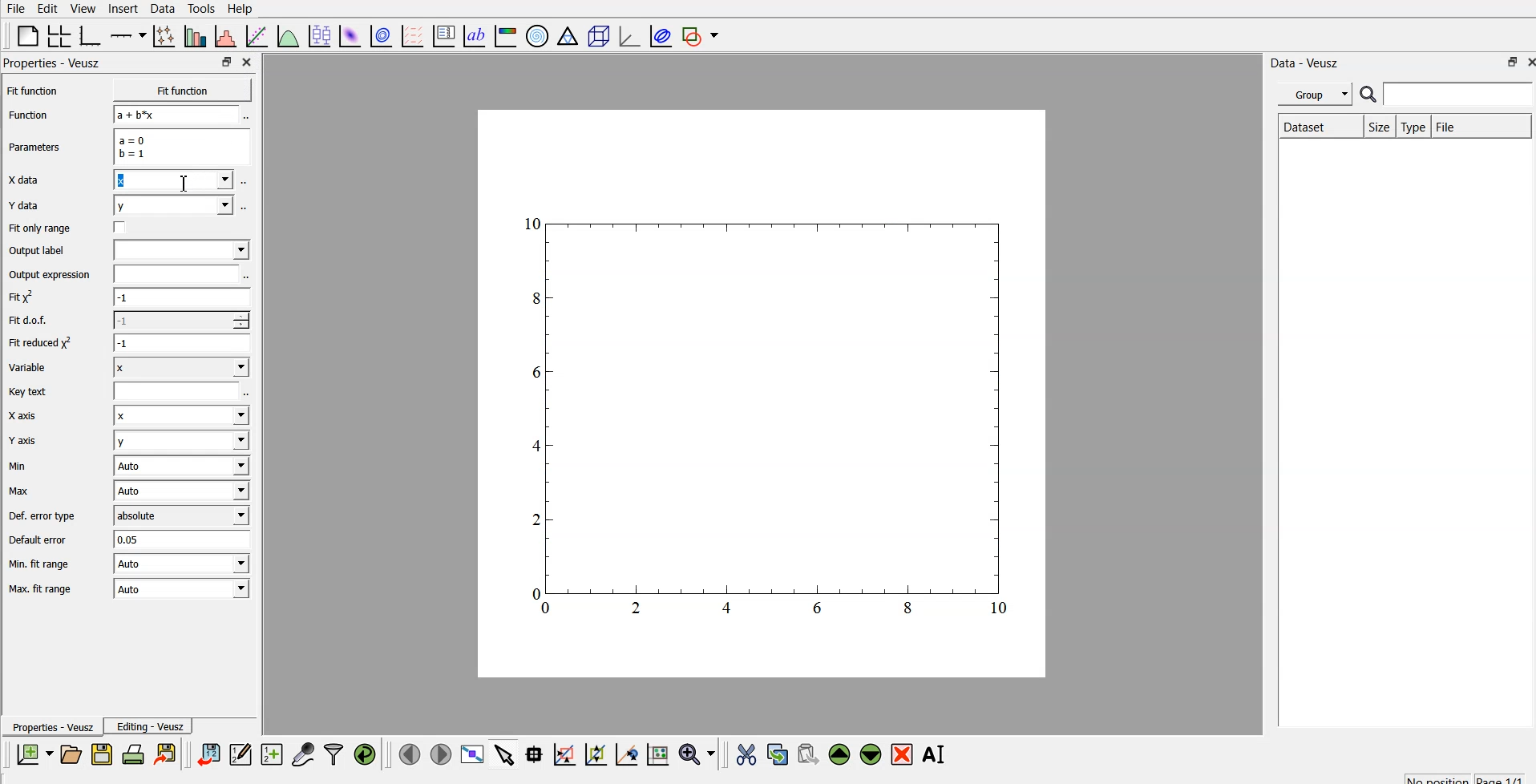 The image size is (1536, 784). What do you see at coordinates (49, 228) in the screenshot?
I see `Fit only range` at bounding box center [49, 228].